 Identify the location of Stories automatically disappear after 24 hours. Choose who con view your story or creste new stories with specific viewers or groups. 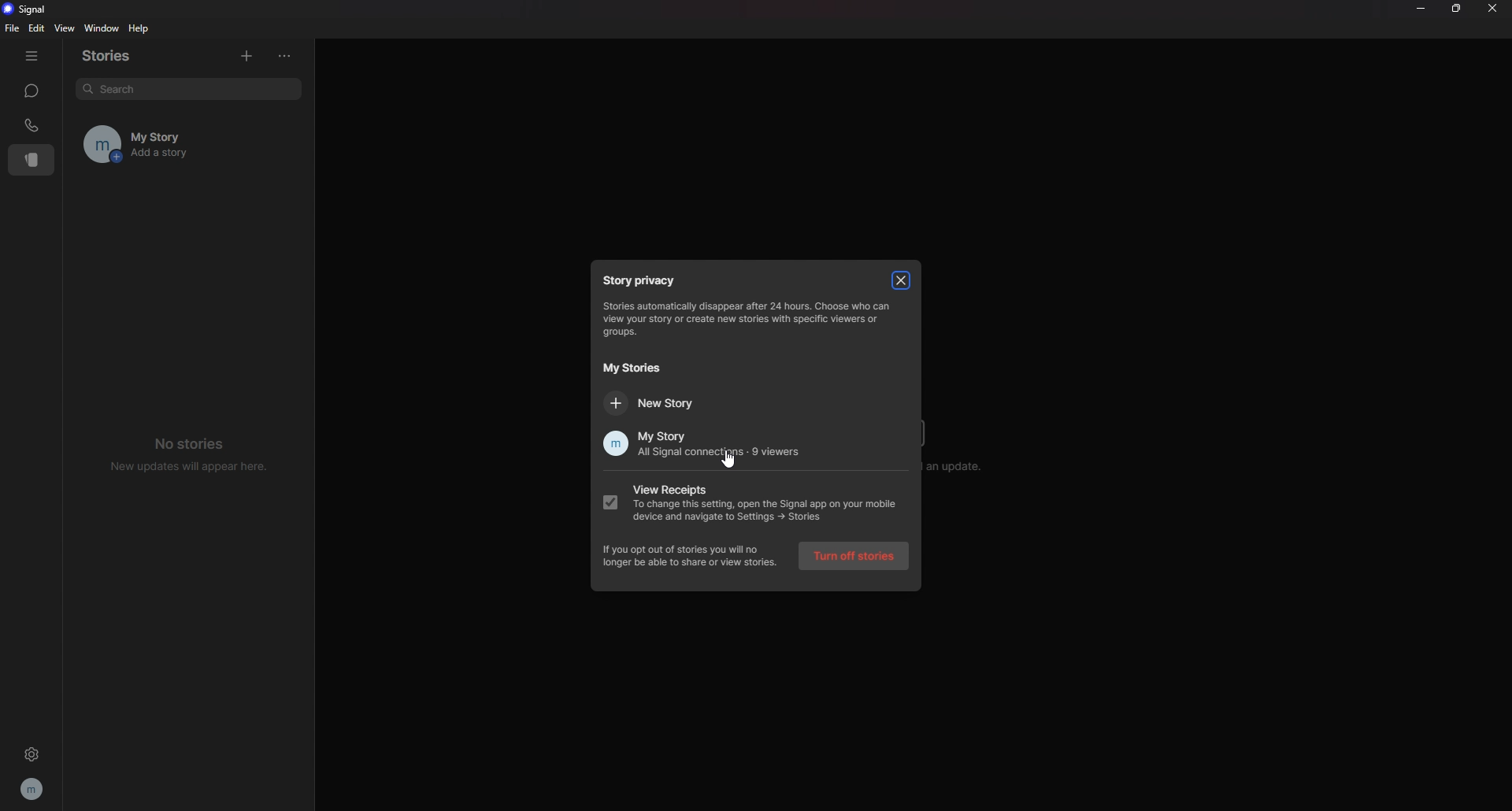
(747, 320).